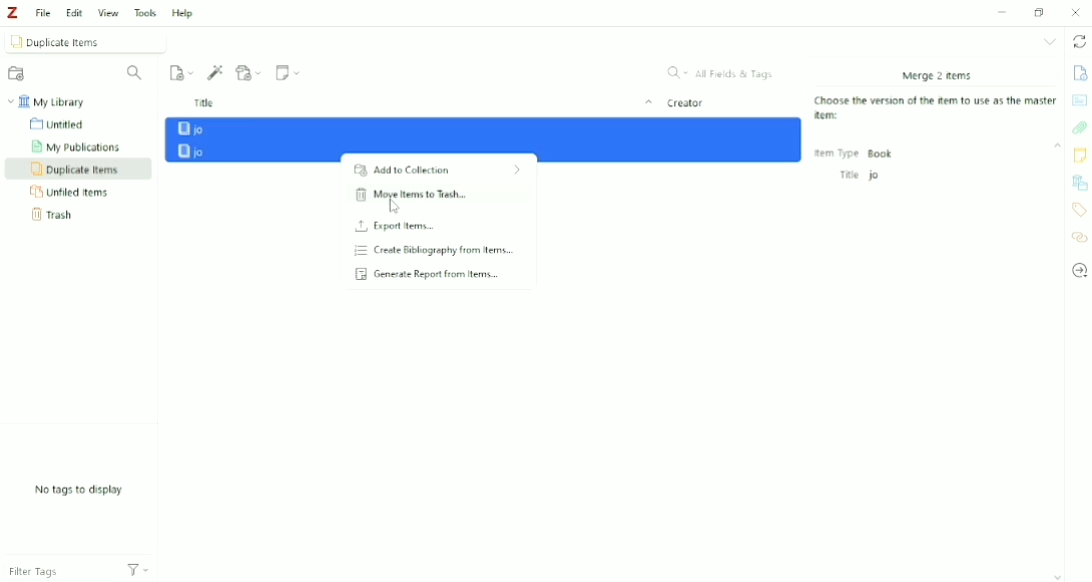 Image resolution: width=1092 pixels, height=582 pixels. What do you see at coordinates (1078, 238) in the screenshot?
I see `Related` at bounding box center [1078, 238].